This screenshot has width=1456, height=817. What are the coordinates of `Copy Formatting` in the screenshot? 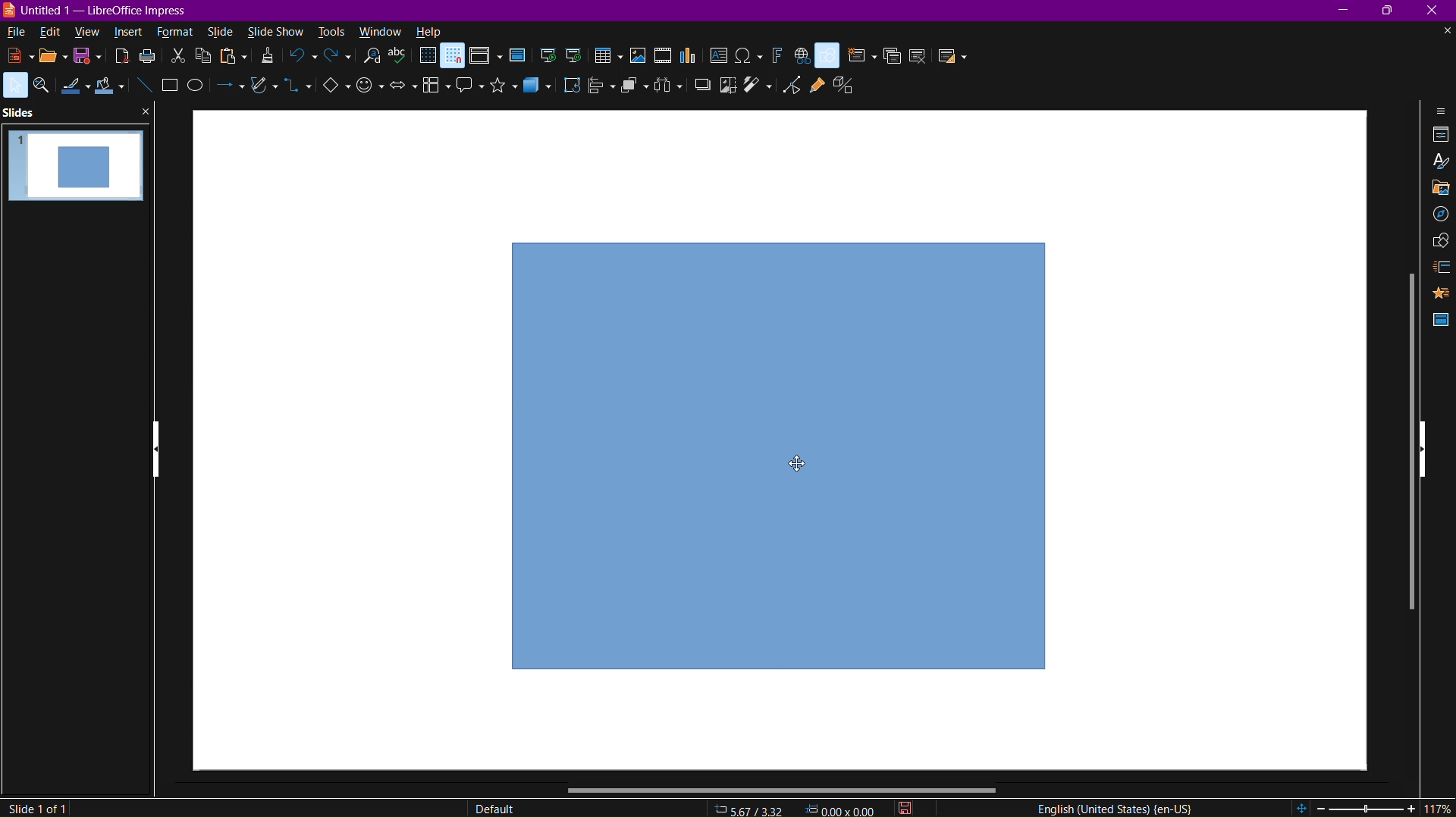 It's located at (267, 59).